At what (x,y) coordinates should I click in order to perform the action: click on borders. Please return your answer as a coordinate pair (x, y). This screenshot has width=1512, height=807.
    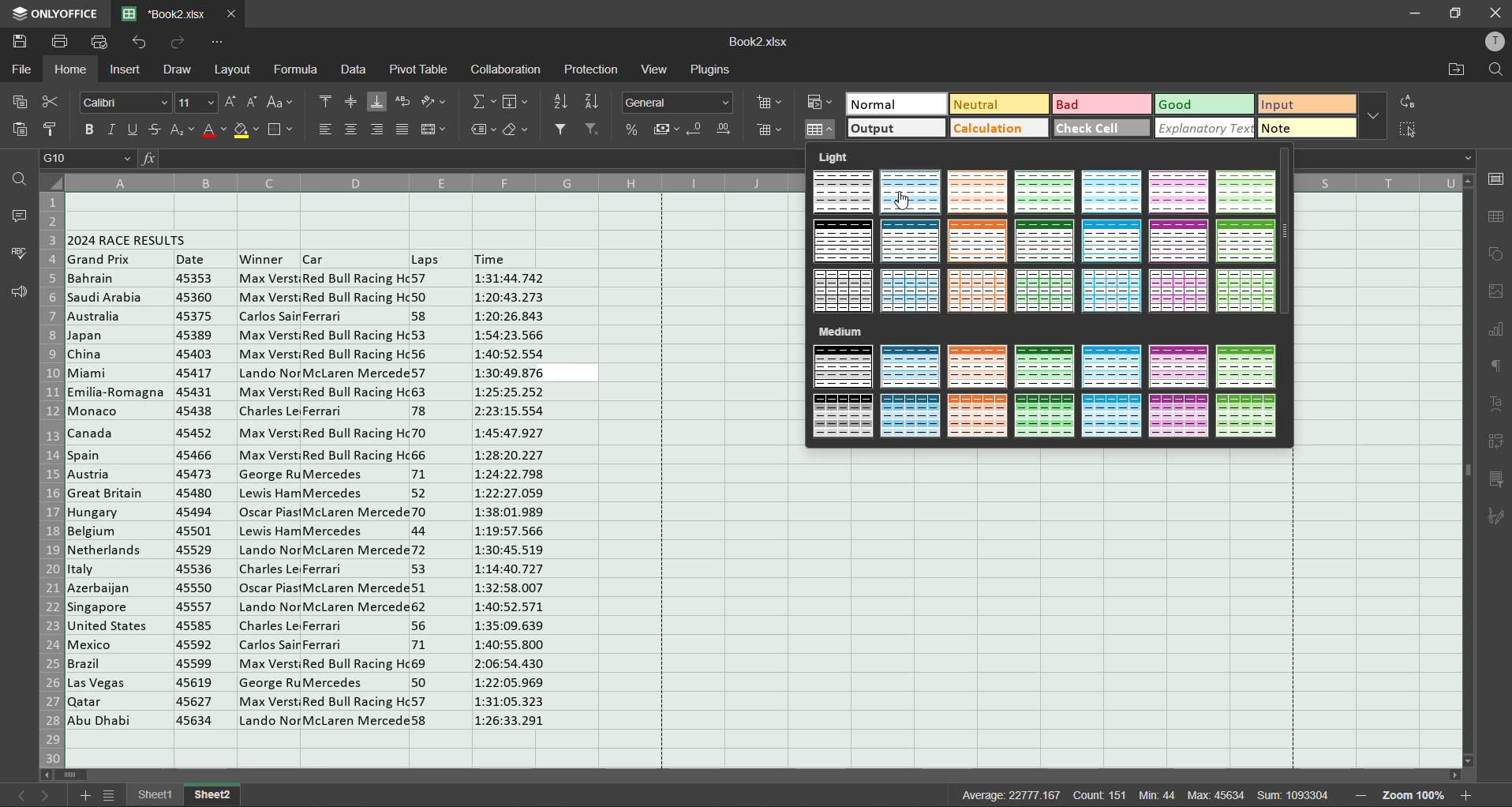
    Looking at the image, I should click on (282, 132).